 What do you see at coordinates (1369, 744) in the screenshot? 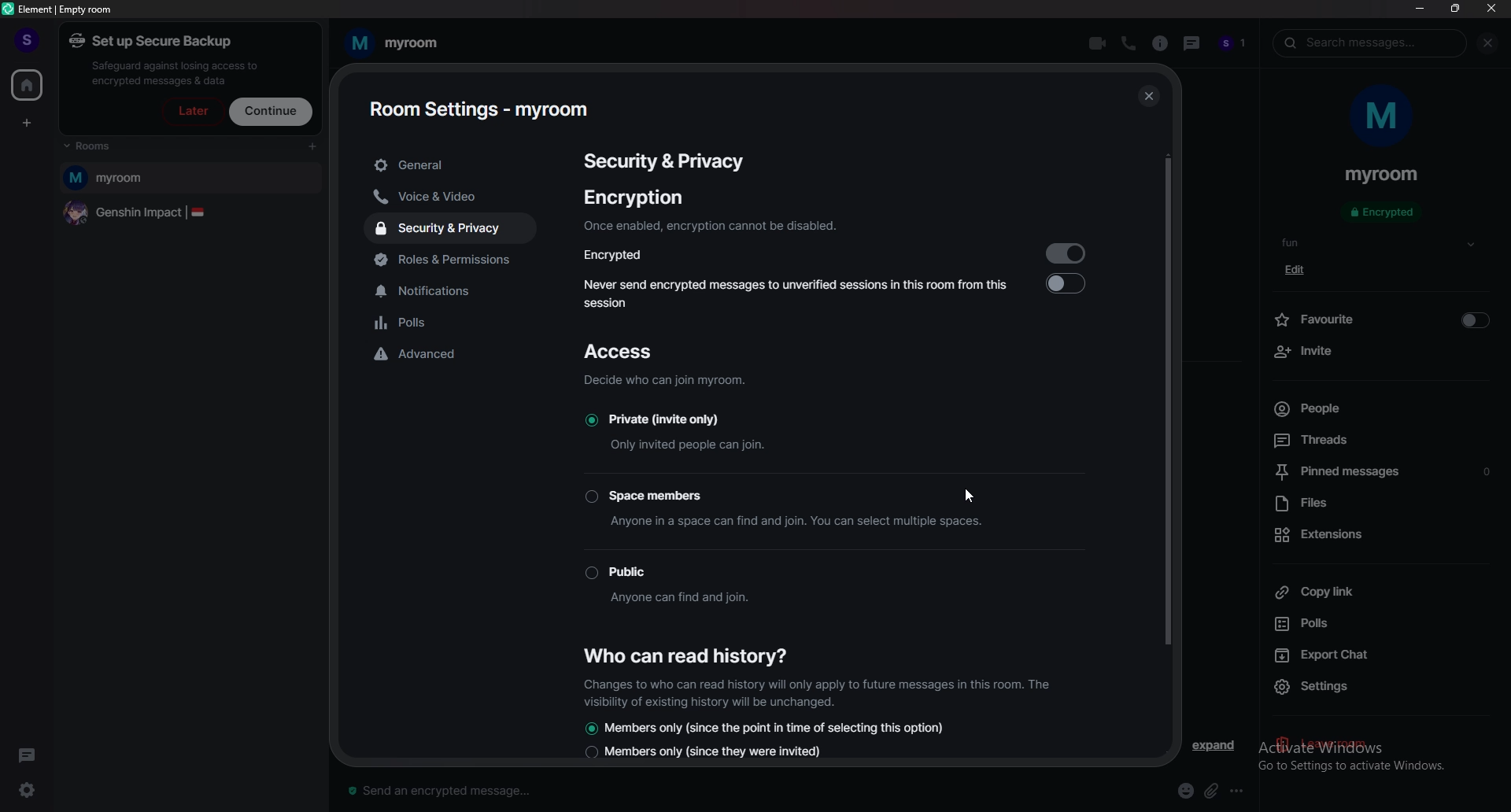
I see `activate windows` at bounding box center [1369, 744].